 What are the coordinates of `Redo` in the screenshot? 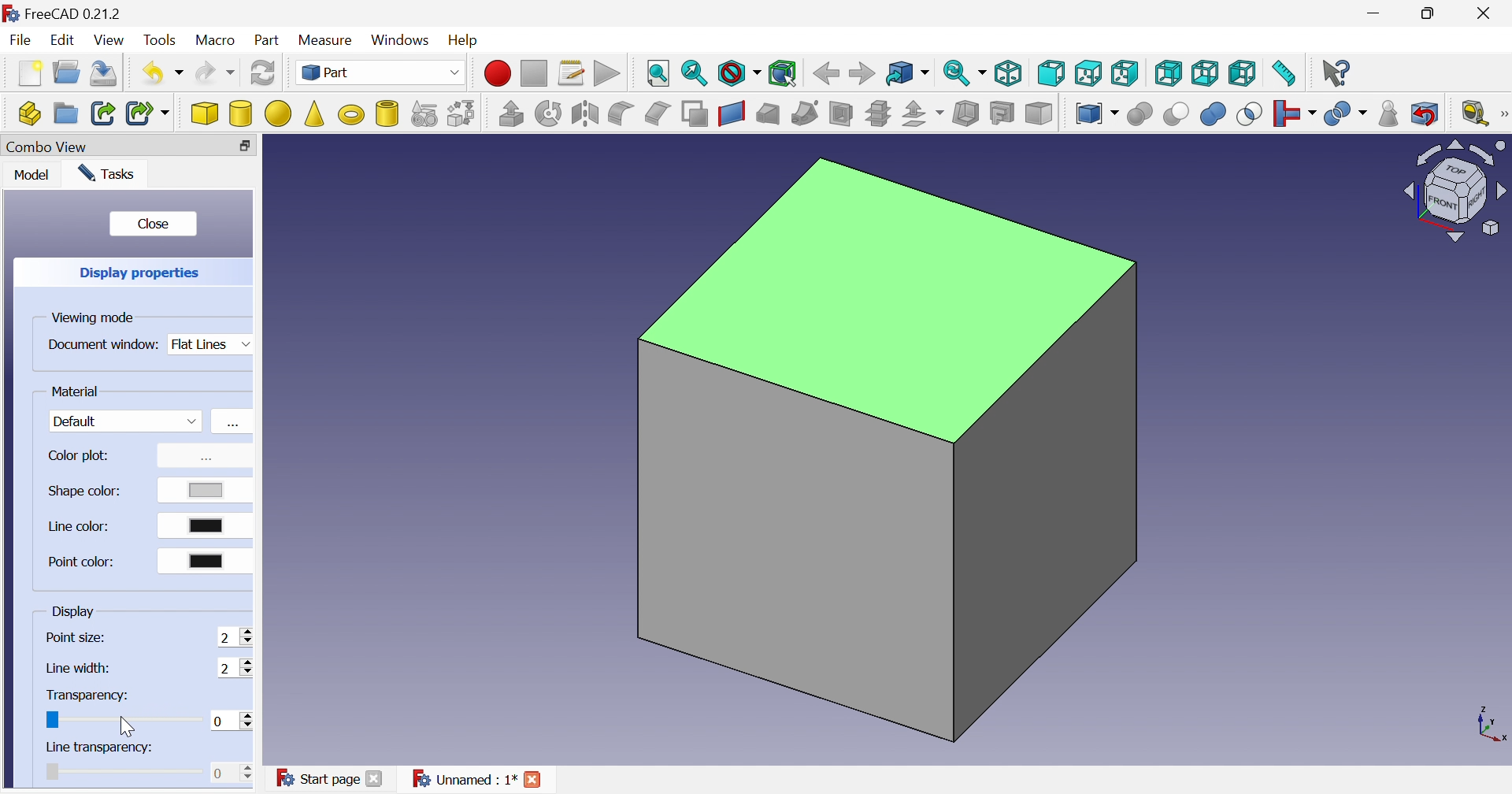 It's located at (216, 72).